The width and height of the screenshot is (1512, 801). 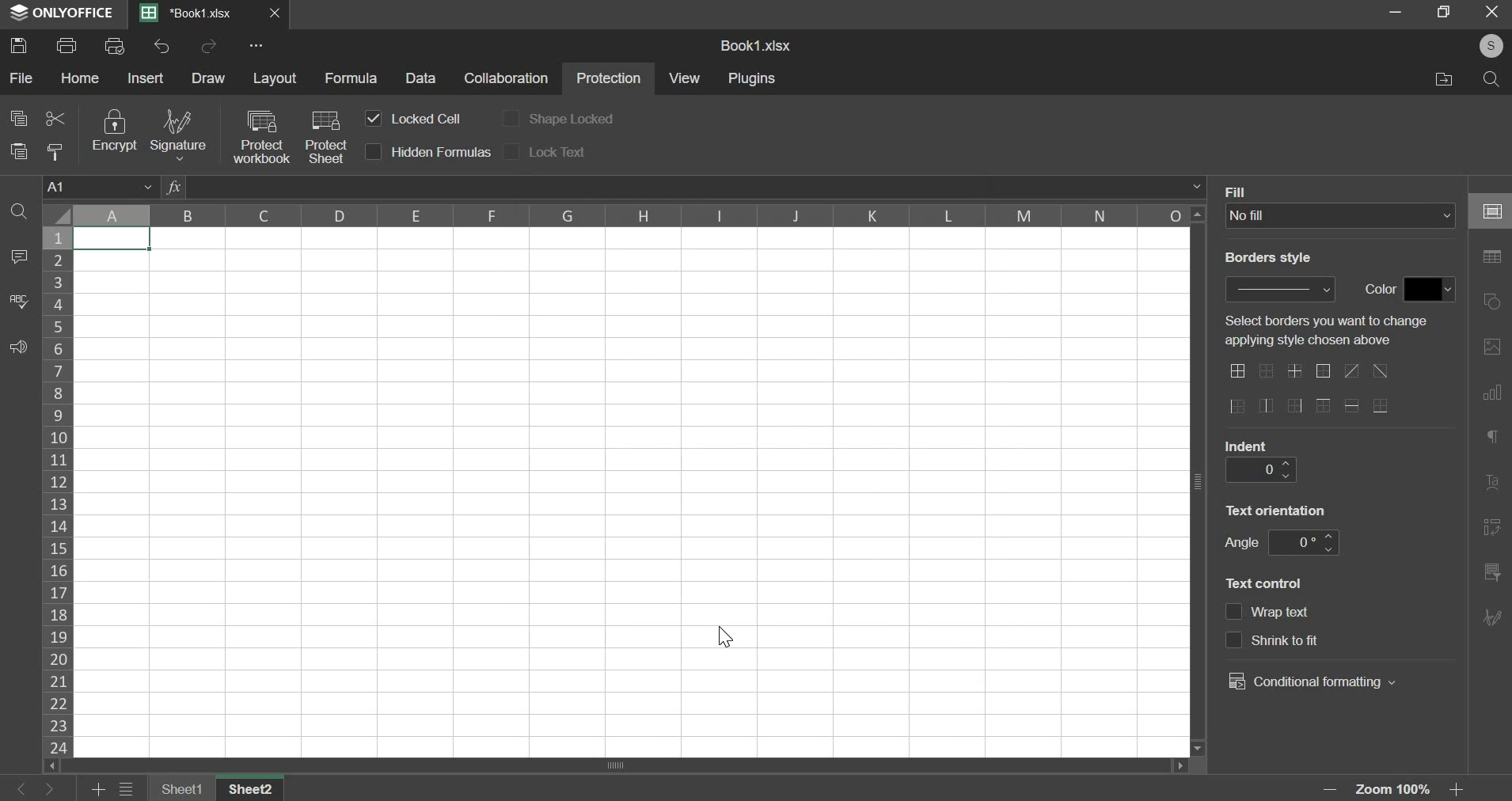 What do you see at coordinates (325, 135) in the screenshot?
I see `protect sheet with cursor` at bounding box center [325, 135].